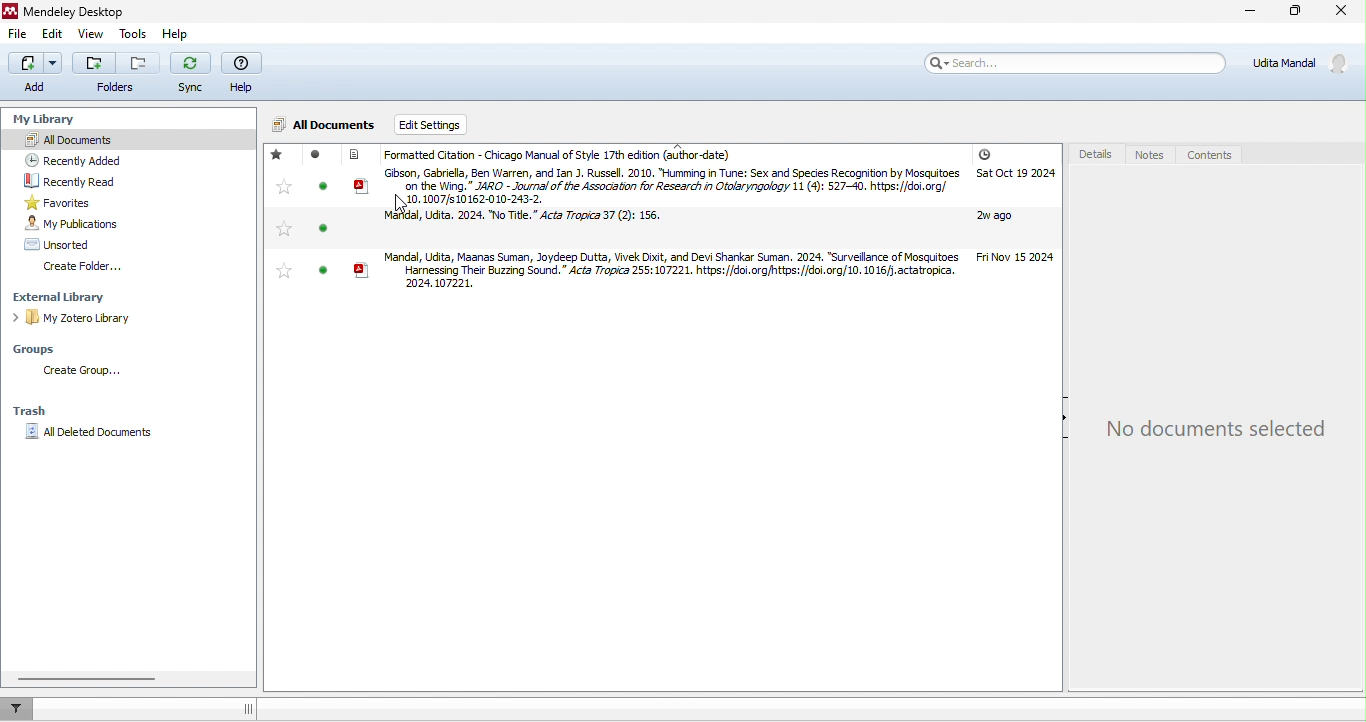  What do you see at coordinates (1218, 429) in the screenshot?
I see `no document selected` at bounding box center [1218, 429].